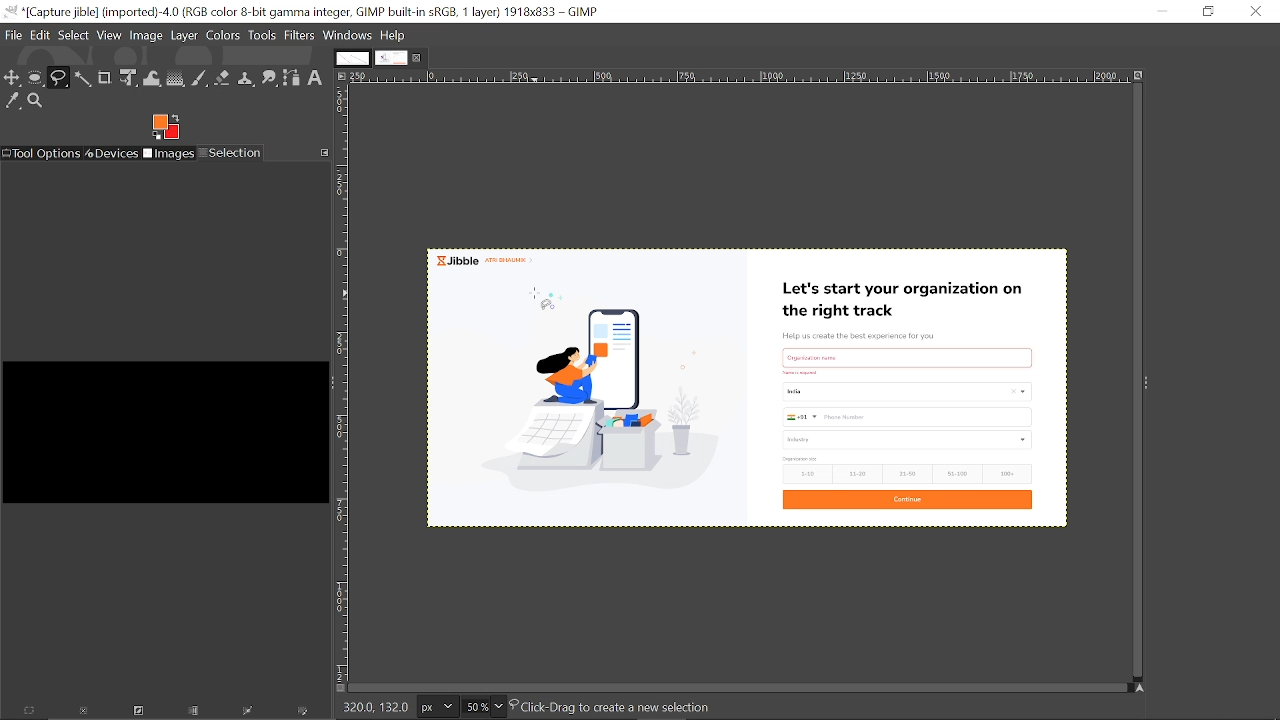 The image size is (1280, 720). Describe the element at coordinates (113, 153) in the screenshot. I see `Devices` at that location.